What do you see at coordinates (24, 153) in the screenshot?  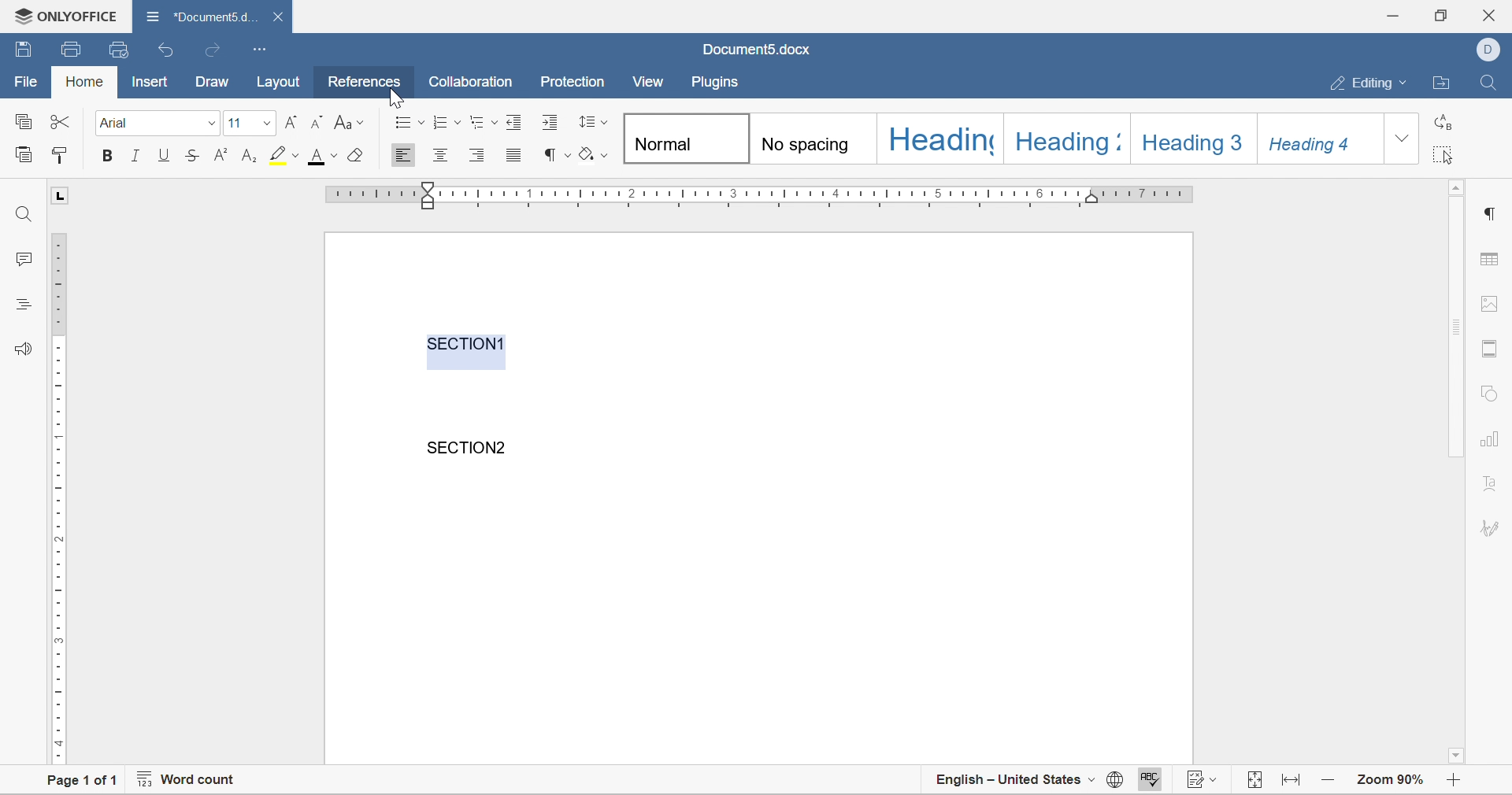 I see `paste` at bounding box center [24, 153].